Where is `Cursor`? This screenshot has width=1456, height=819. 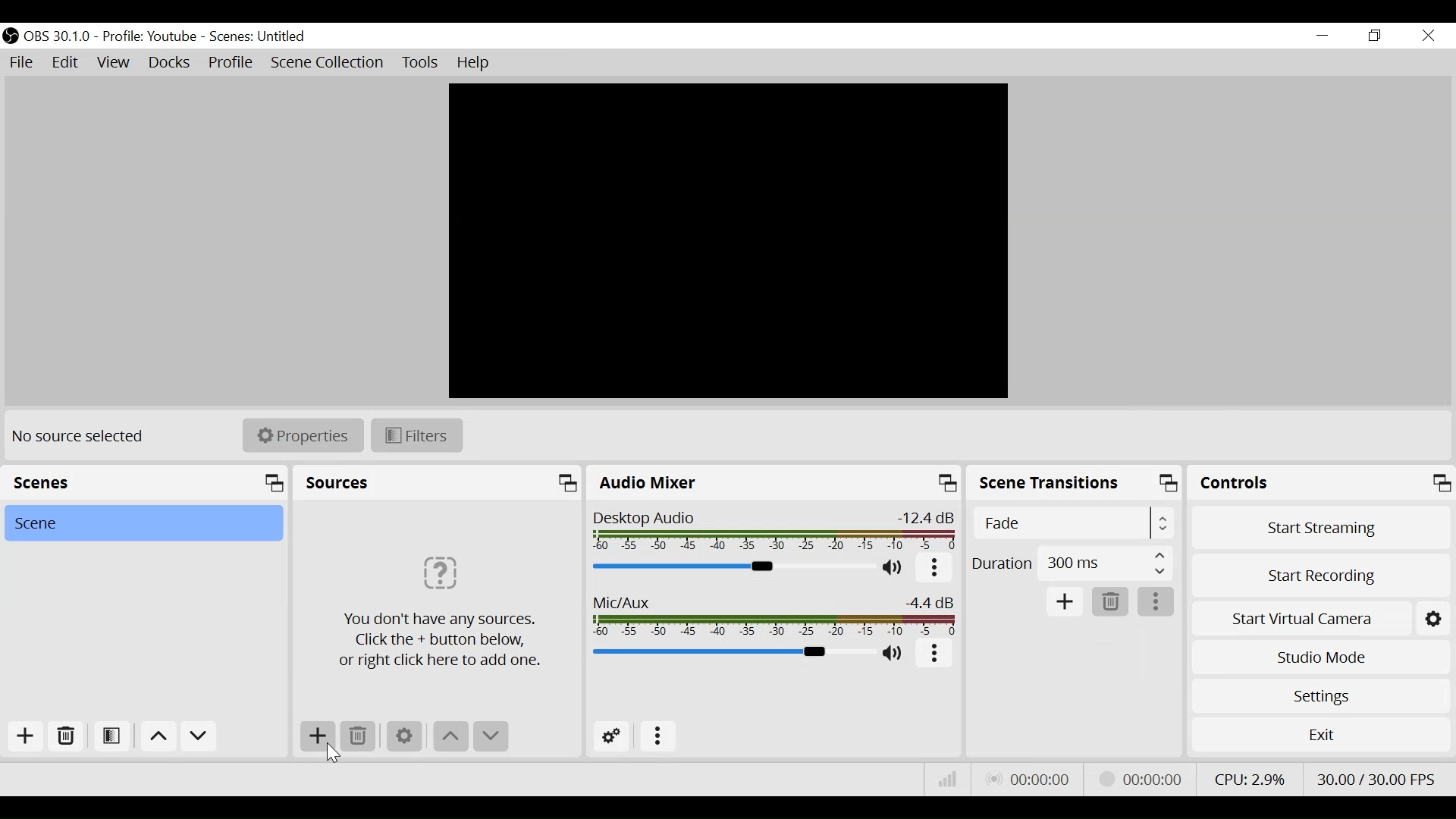
Cursor is located at coordinates (329, 752).